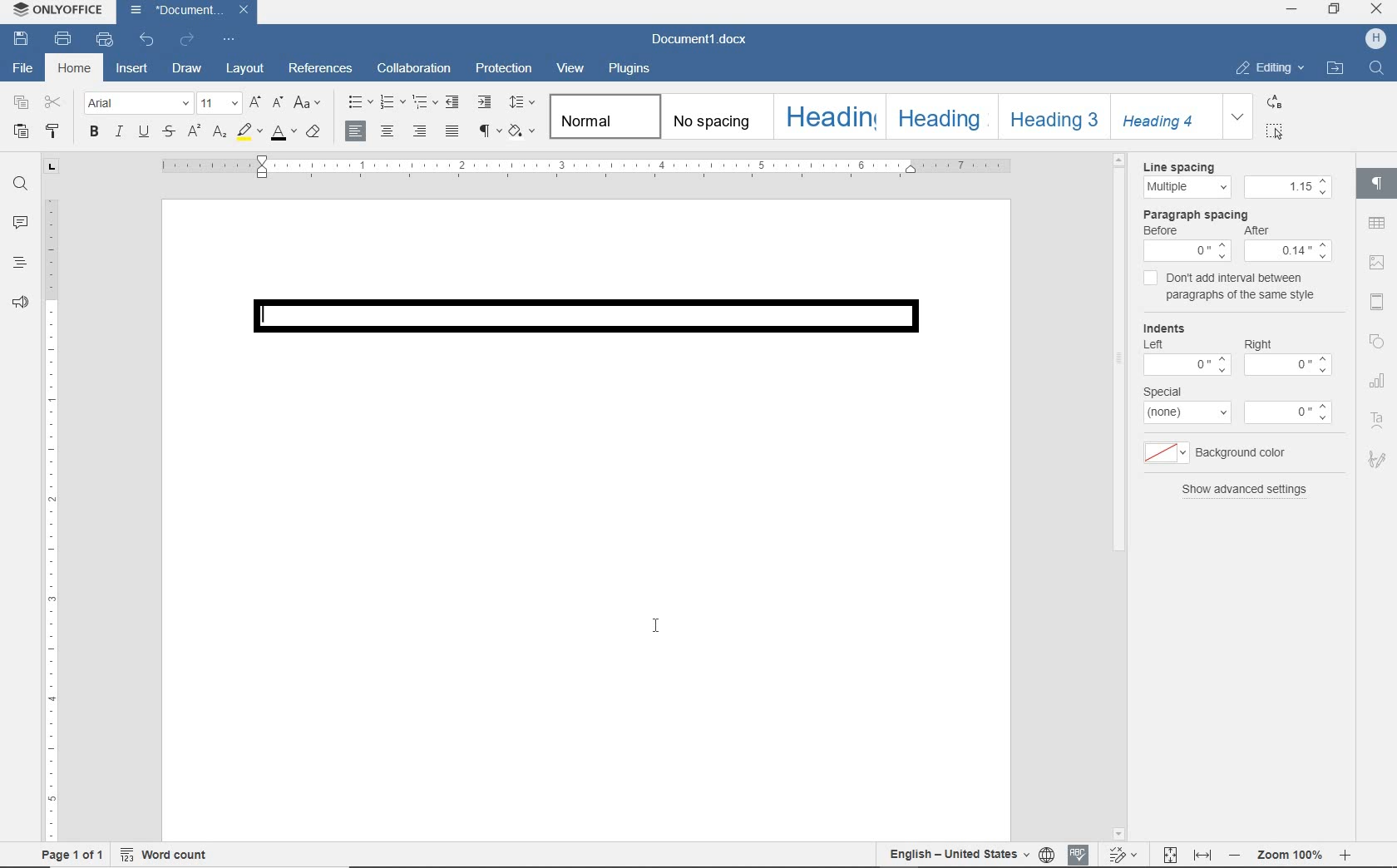  What do you see at coordinates (486, 102) in the screenshot?
I see `increase indent` at bounding box center [486, 102].